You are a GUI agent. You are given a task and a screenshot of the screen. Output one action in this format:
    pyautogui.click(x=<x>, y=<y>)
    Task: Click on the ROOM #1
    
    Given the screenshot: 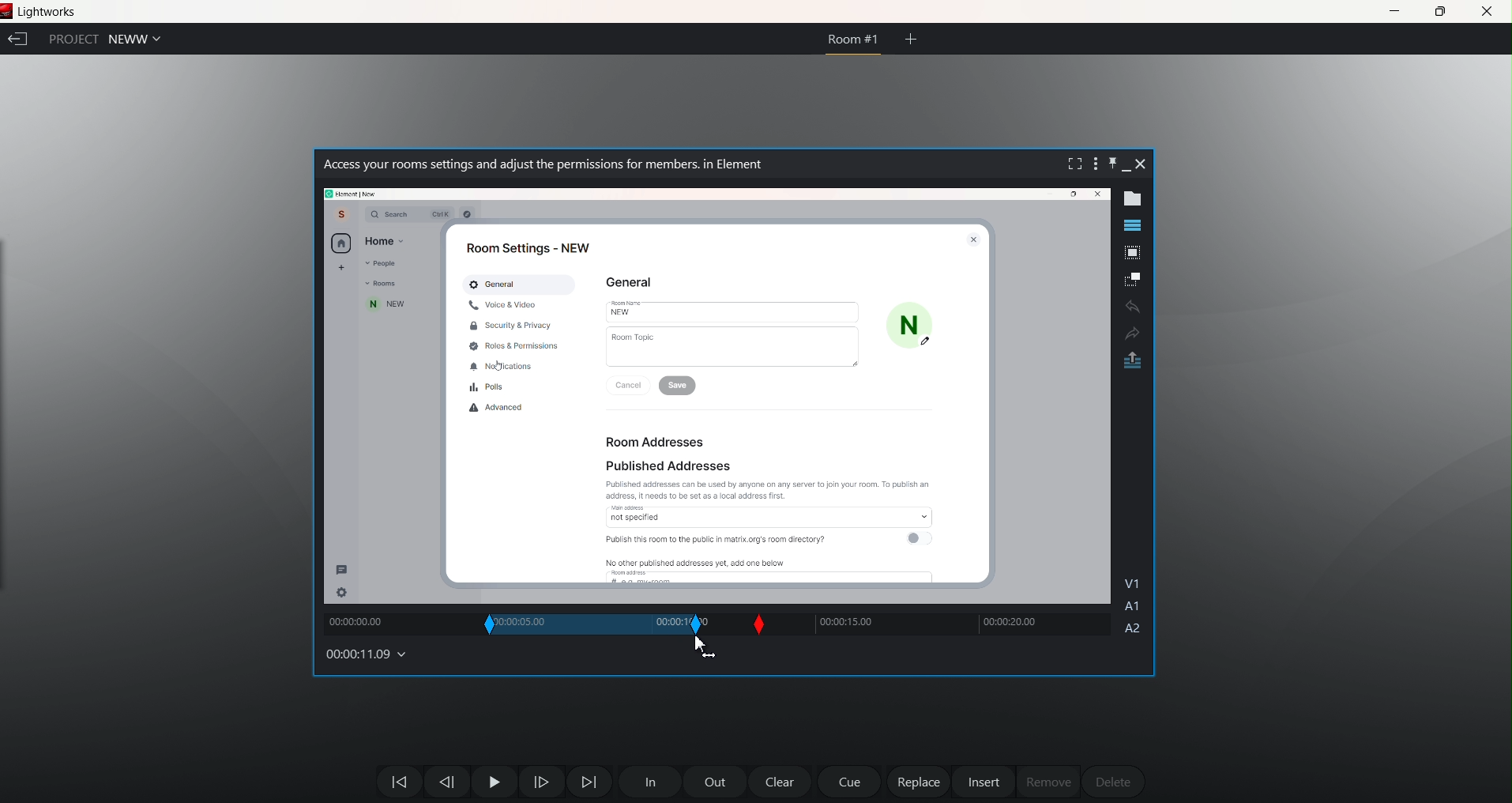 What is the action you would take?
    pyautogui.click(x=853, y=43)
    